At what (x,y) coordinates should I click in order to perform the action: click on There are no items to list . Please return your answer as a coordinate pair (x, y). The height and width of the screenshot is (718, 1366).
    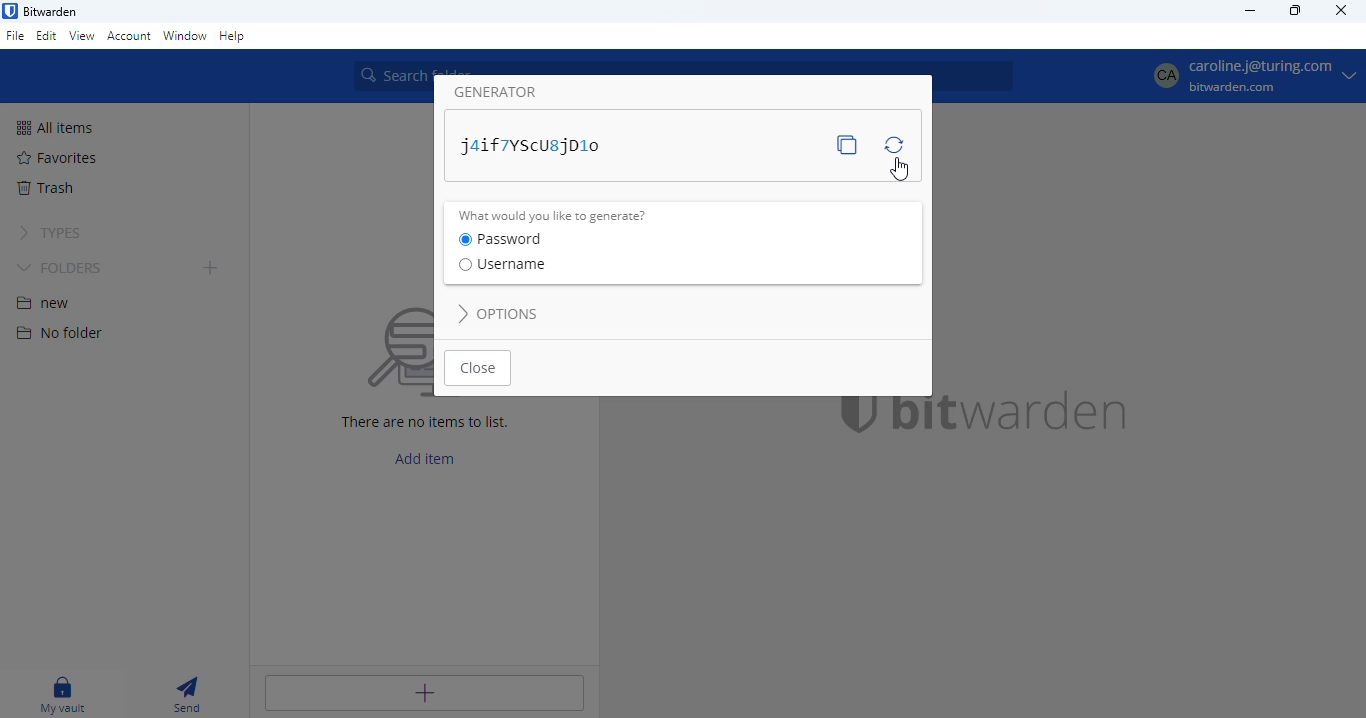
    Looking at the image, I should click on (432, 424).